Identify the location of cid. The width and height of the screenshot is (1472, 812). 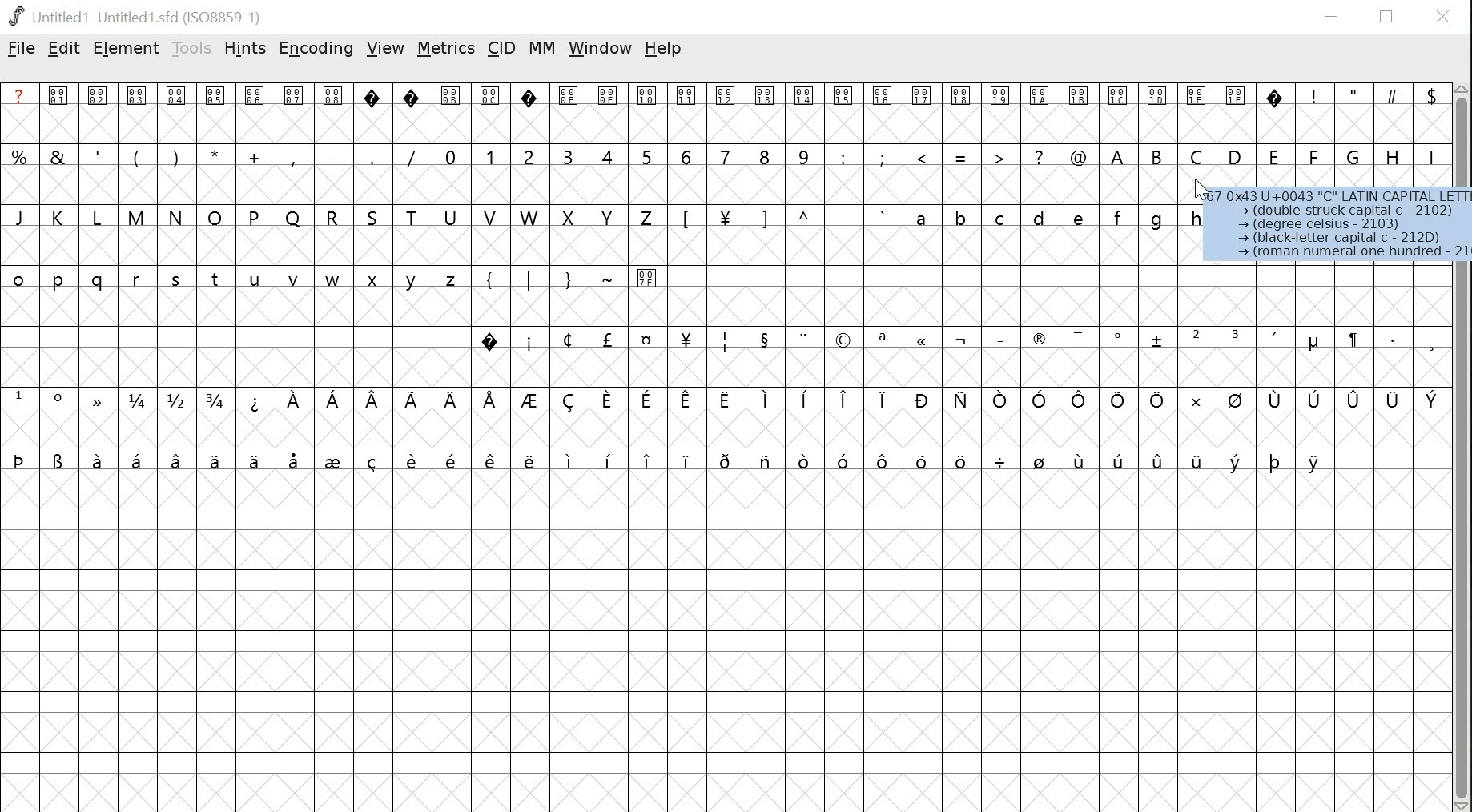
(501, 46).